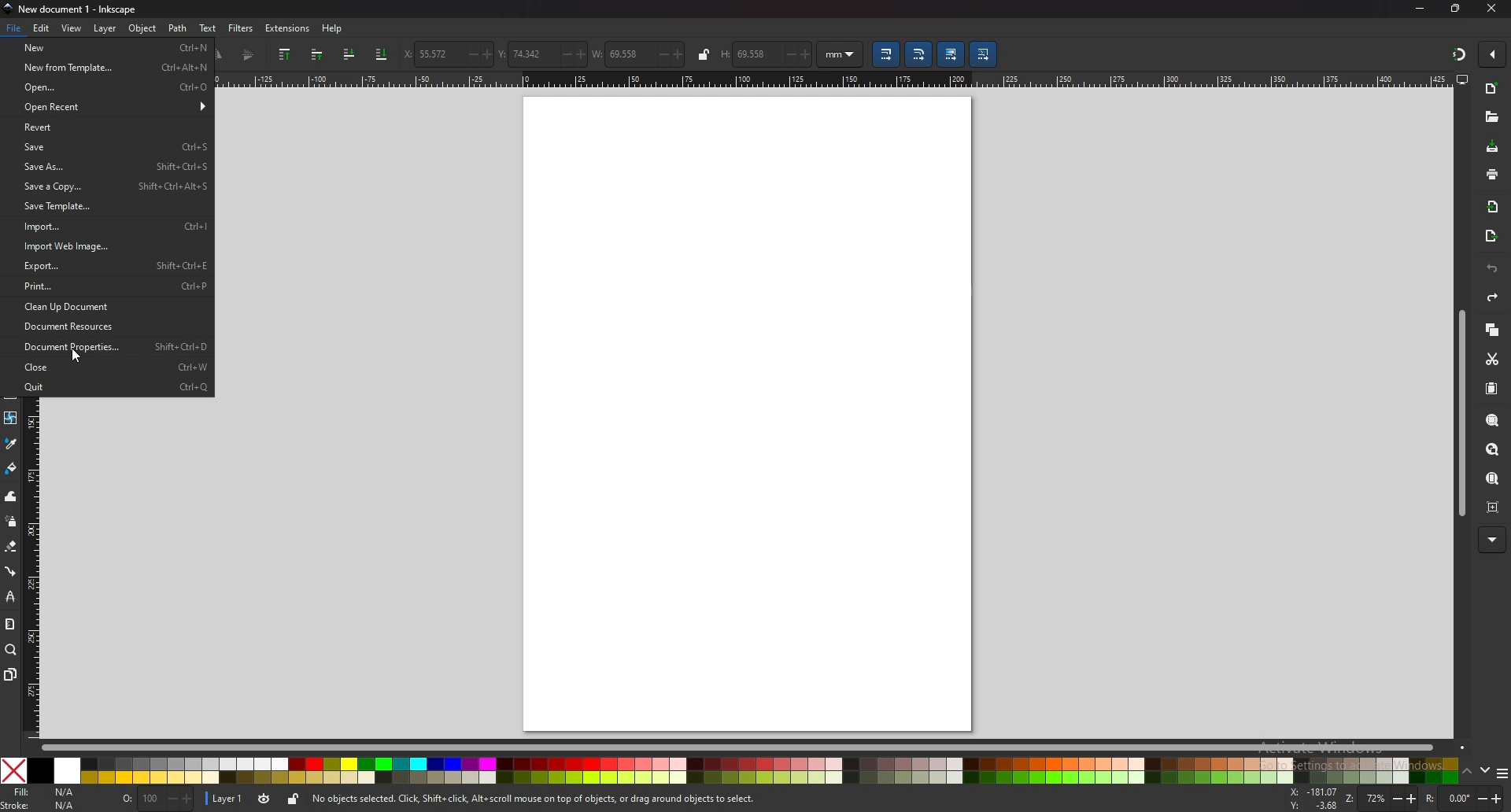 The height and width of the screenshot is (812, 1511). What do you see at coordinates (1489, 54) in the screenshot?
I see `enable snapping` at bounding box center [1489, 54].